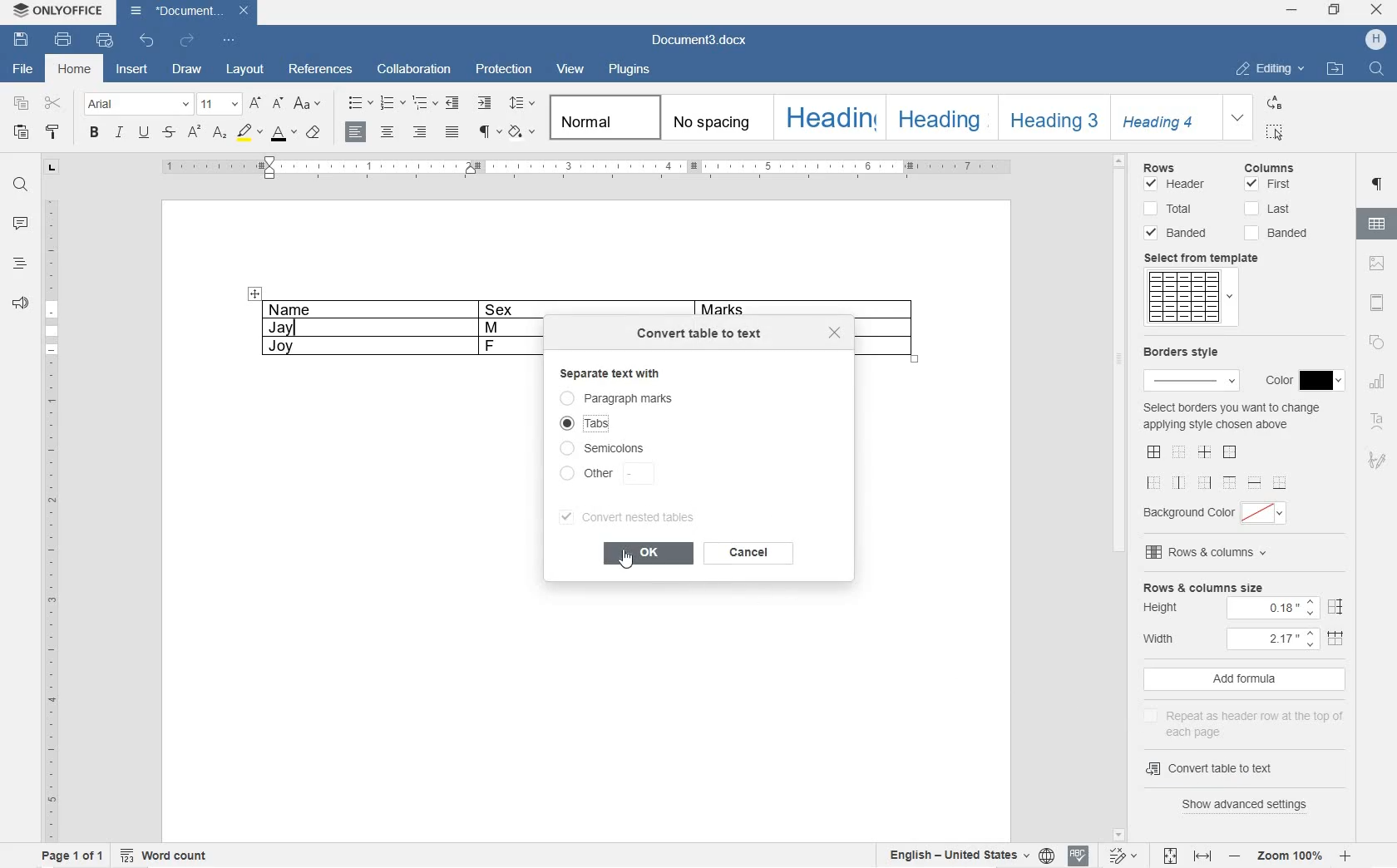 The image size is (1397, 868). Describe the element at coordinates (392, 328) in the screenshot. I see `TABLE` at that location.